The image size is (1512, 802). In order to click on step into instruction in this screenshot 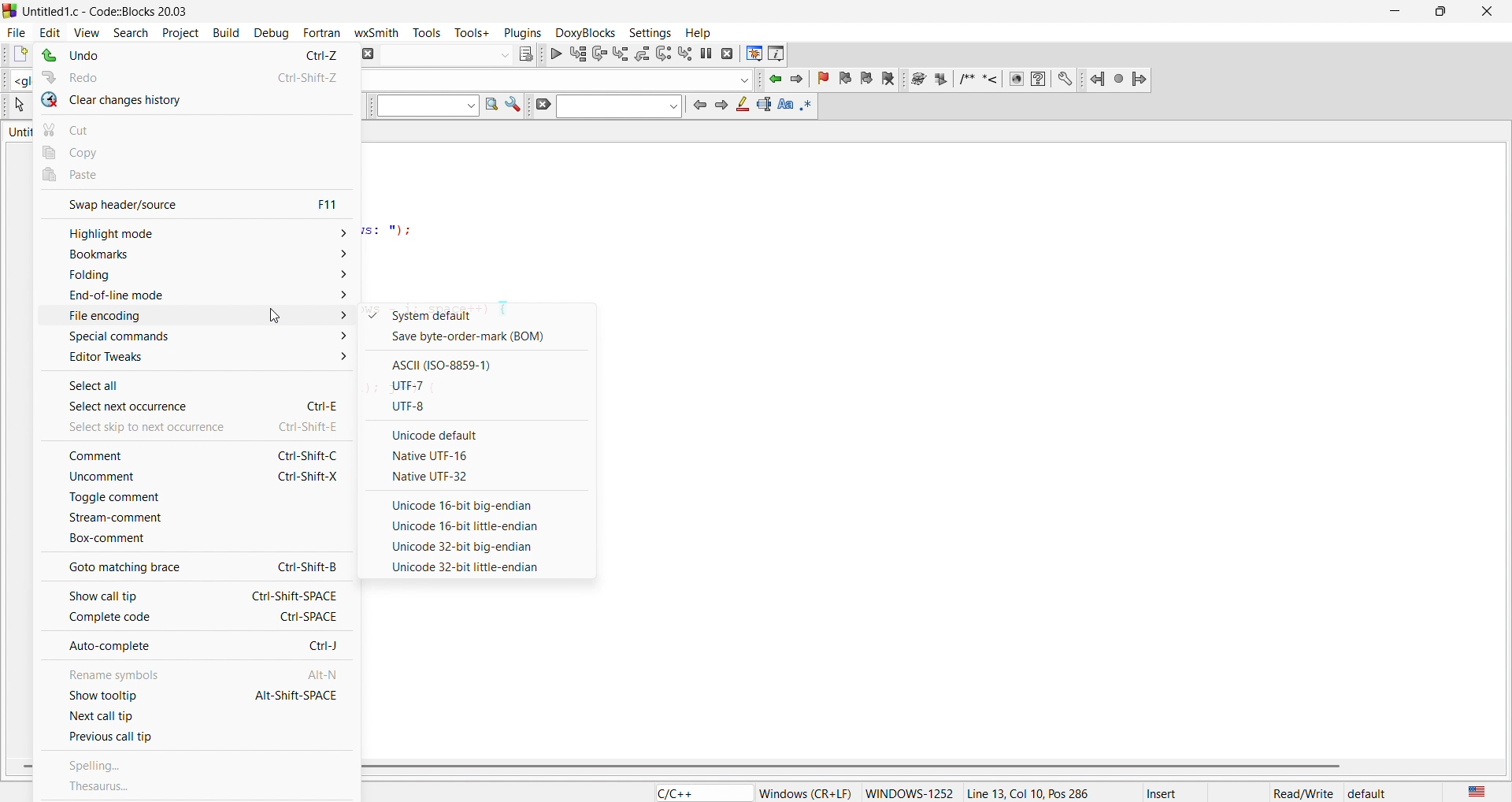, I will do `click(684, 54)`.